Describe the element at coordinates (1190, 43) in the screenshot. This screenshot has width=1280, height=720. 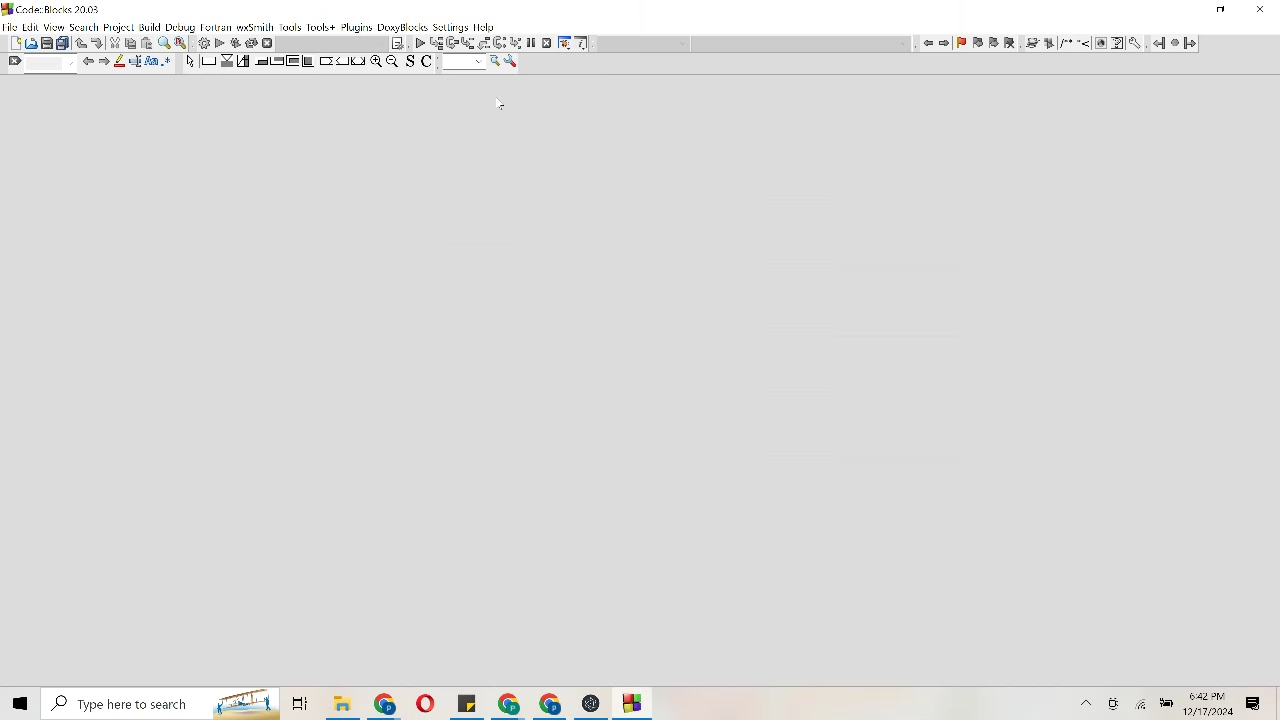
I see `Go Forward` at that location.